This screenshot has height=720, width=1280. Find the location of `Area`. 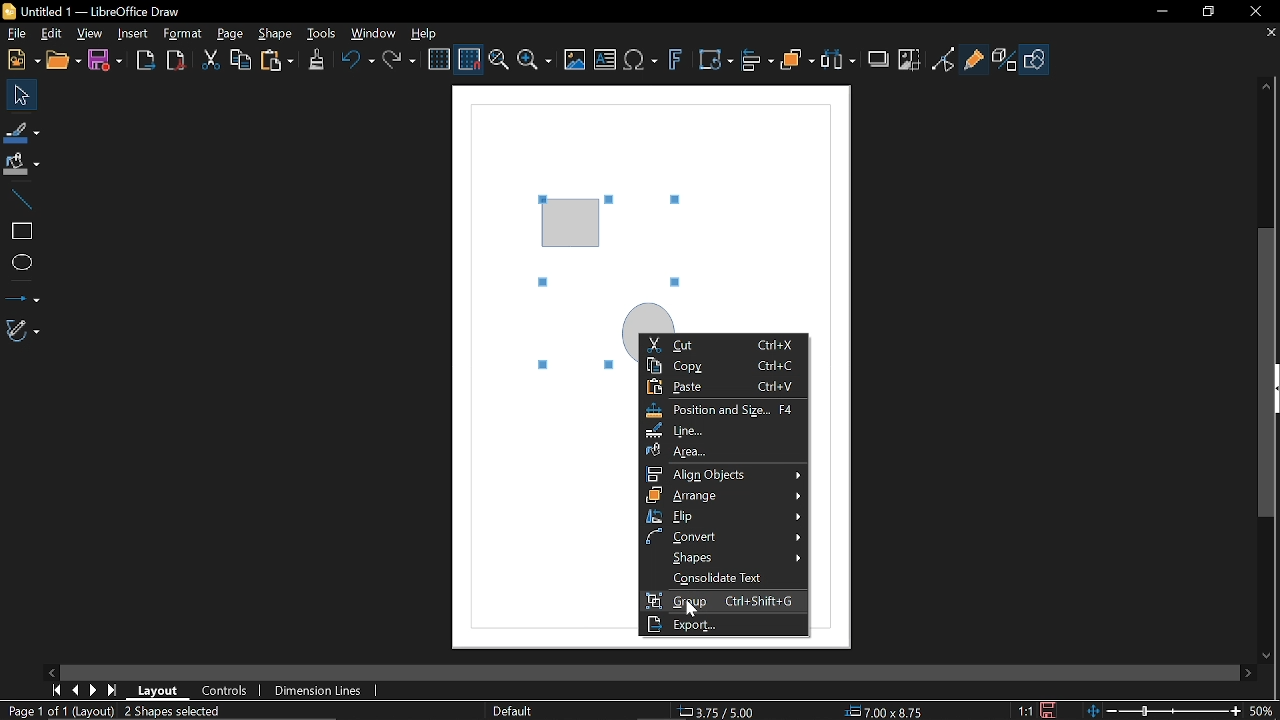

Area is located at coordinates (719, 450).